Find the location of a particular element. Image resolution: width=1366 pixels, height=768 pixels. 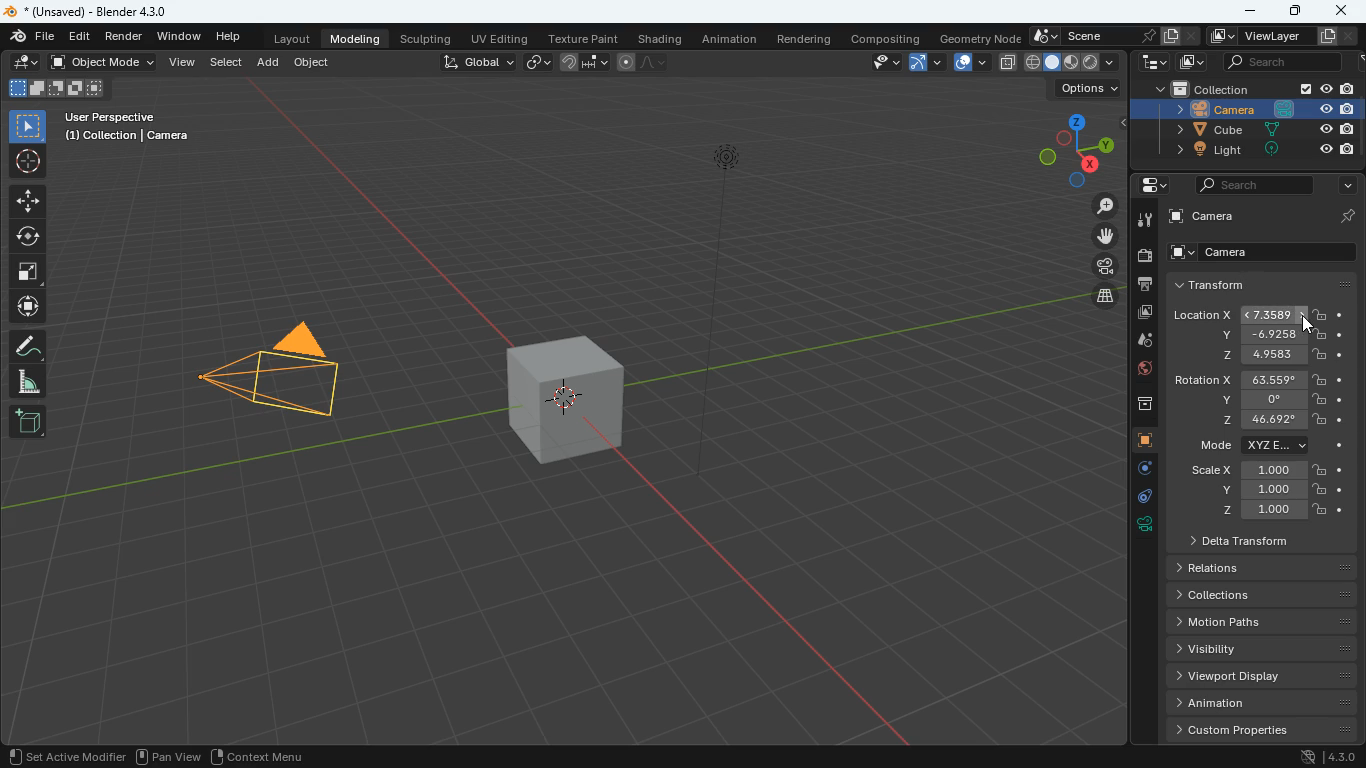

camera is located at coordinates (1246, 110).